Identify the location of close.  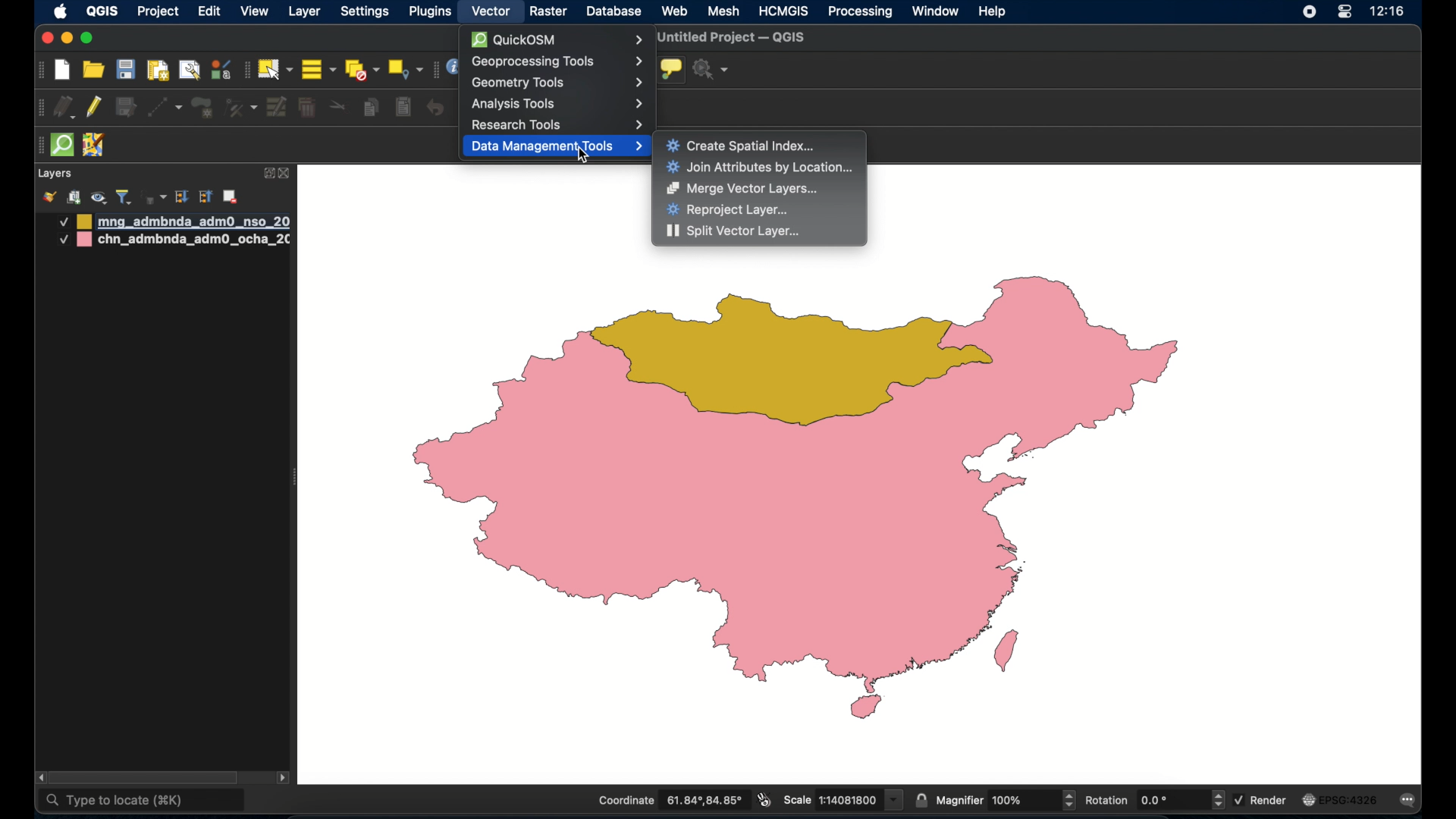
(45, 39).